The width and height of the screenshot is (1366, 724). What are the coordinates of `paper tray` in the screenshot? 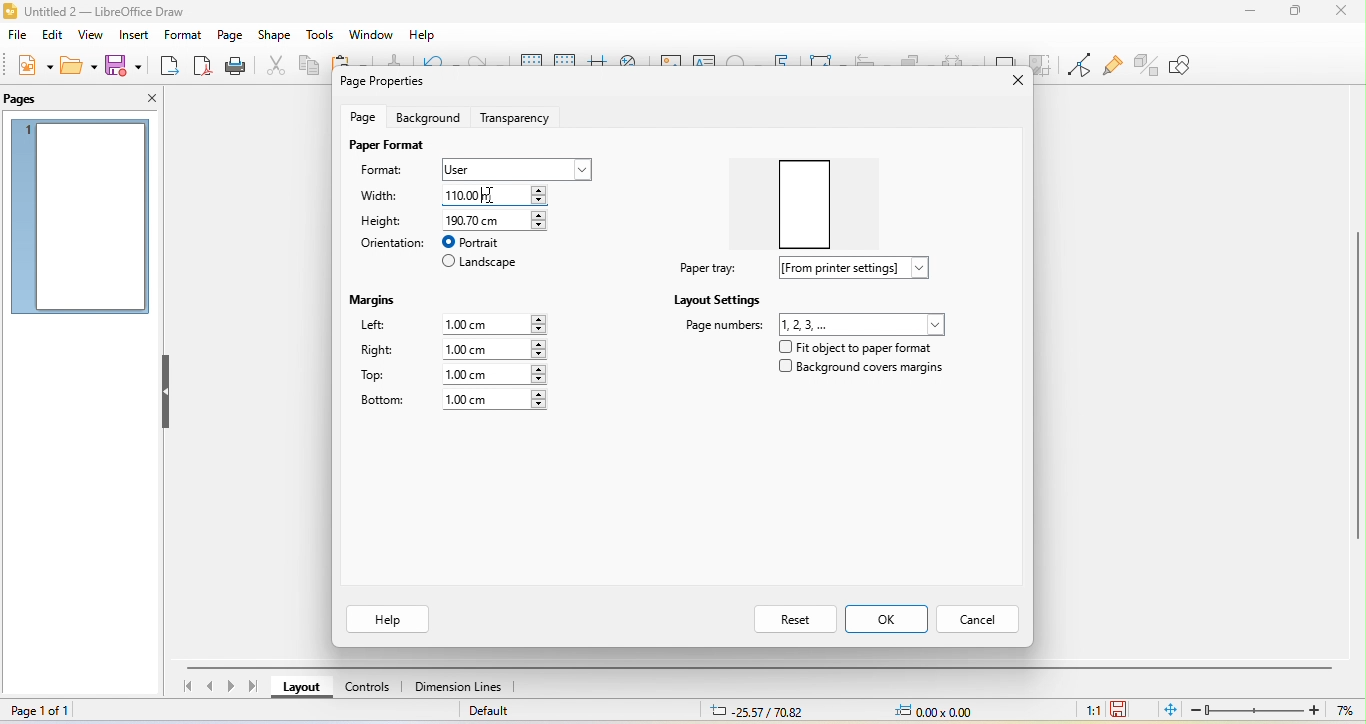 It's located at (705, 268).